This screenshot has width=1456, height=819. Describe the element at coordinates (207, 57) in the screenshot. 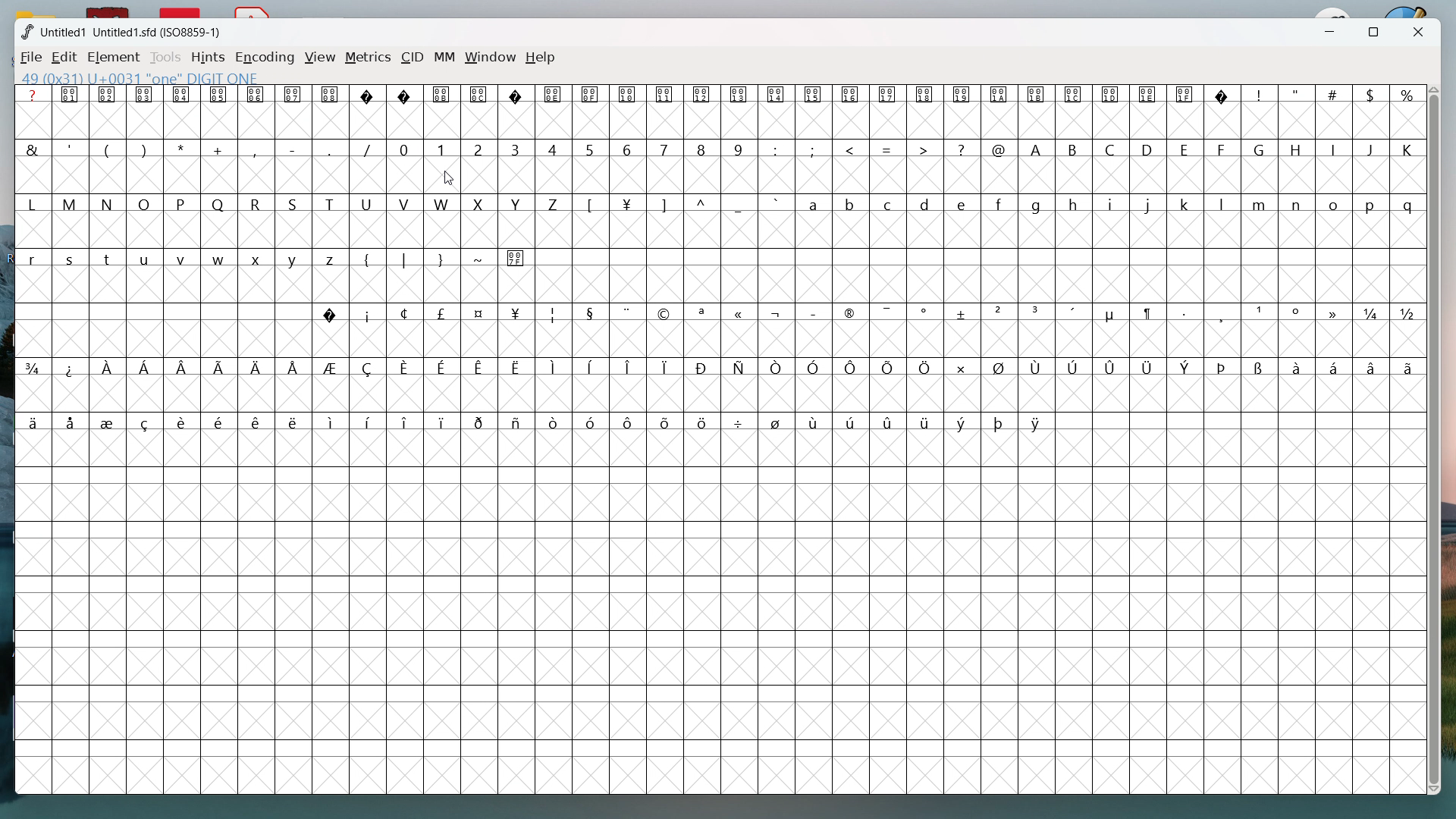

I see `hints` at that location.